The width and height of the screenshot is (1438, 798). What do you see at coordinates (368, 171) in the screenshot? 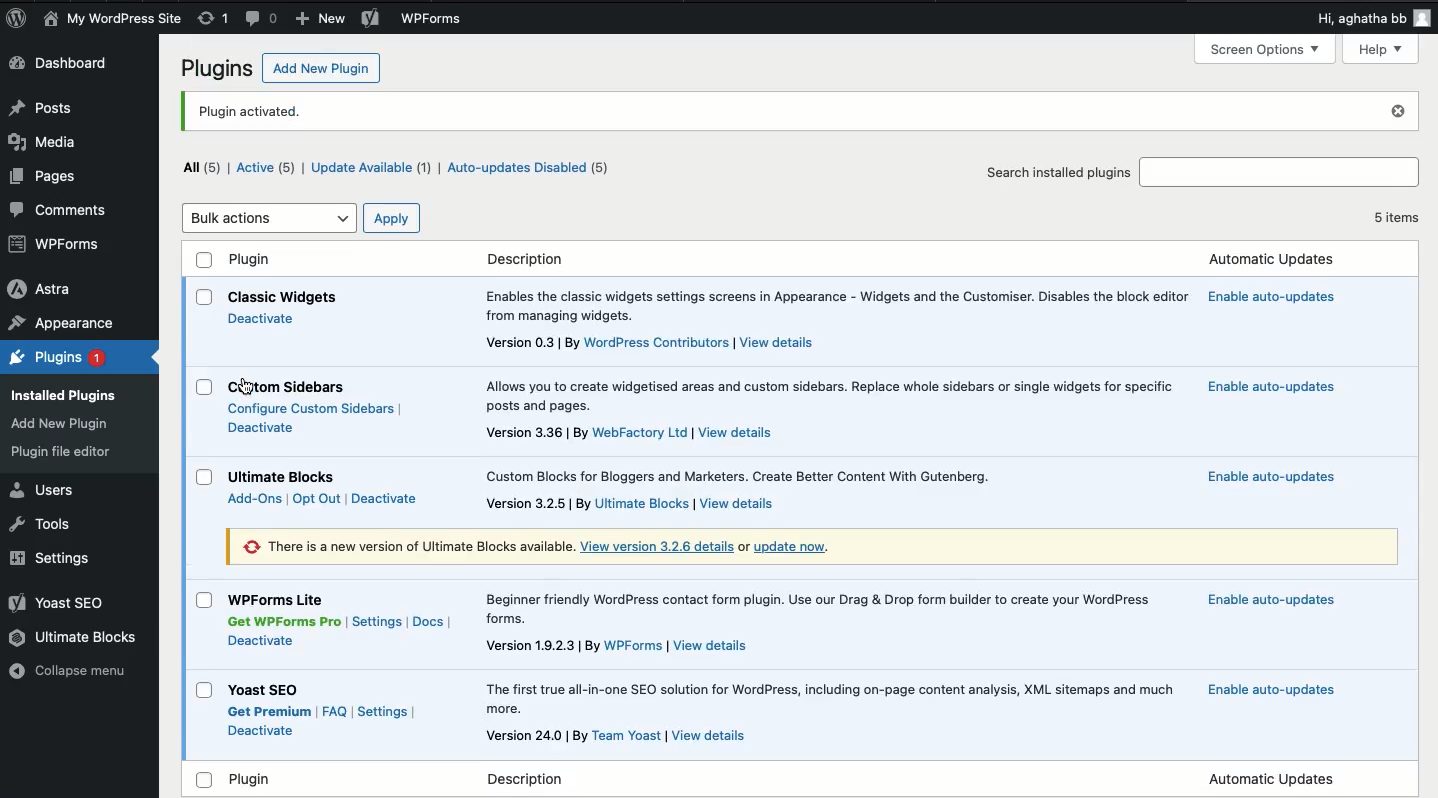
I see `update available` at bounding box center [368, 171].